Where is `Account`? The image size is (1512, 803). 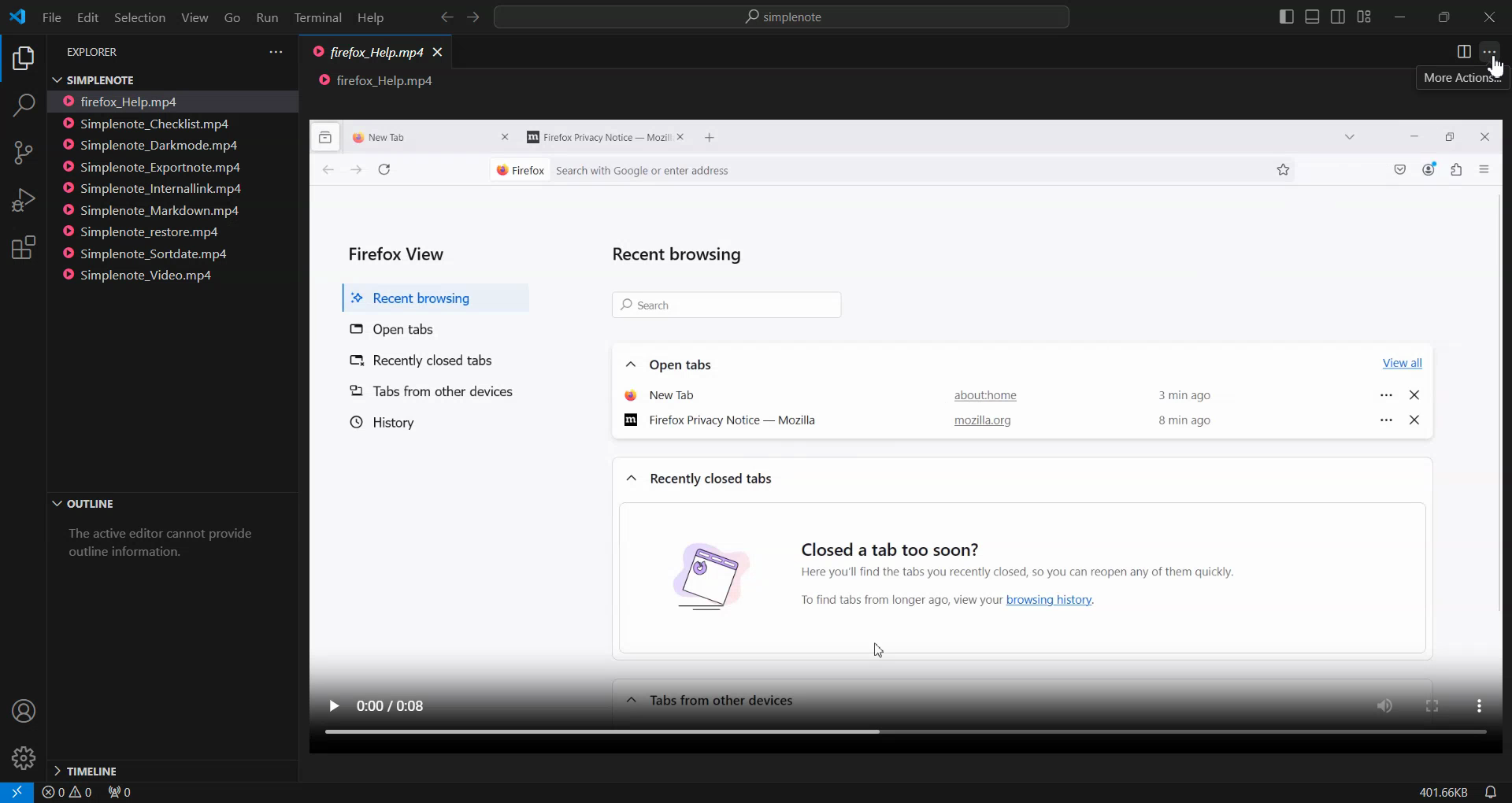
Account is located at coordinates (22, 712).